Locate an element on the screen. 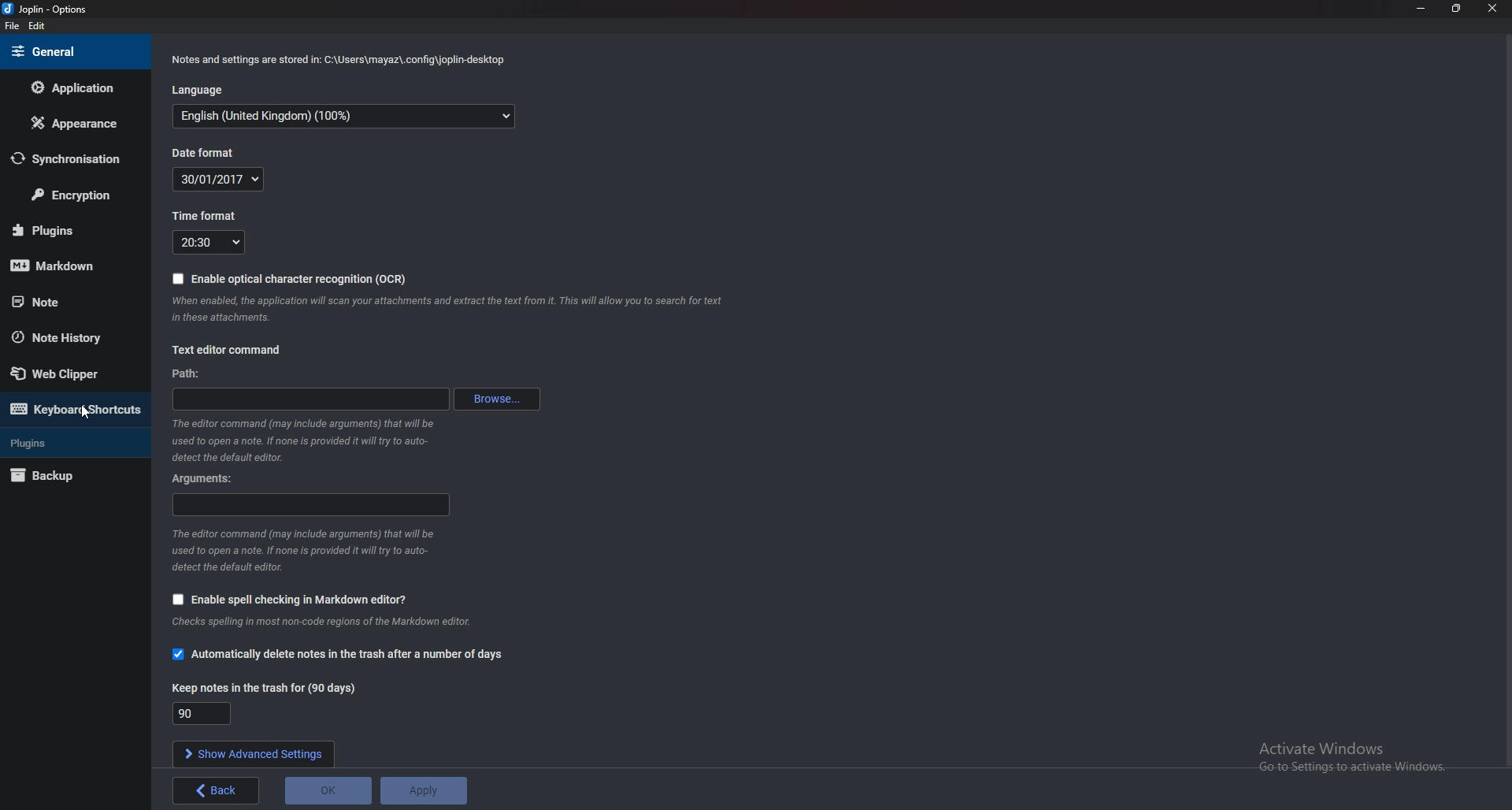 Image resolution: width=1512 pixels, height=810 pixels. Application is located at coordinates (72, 88).